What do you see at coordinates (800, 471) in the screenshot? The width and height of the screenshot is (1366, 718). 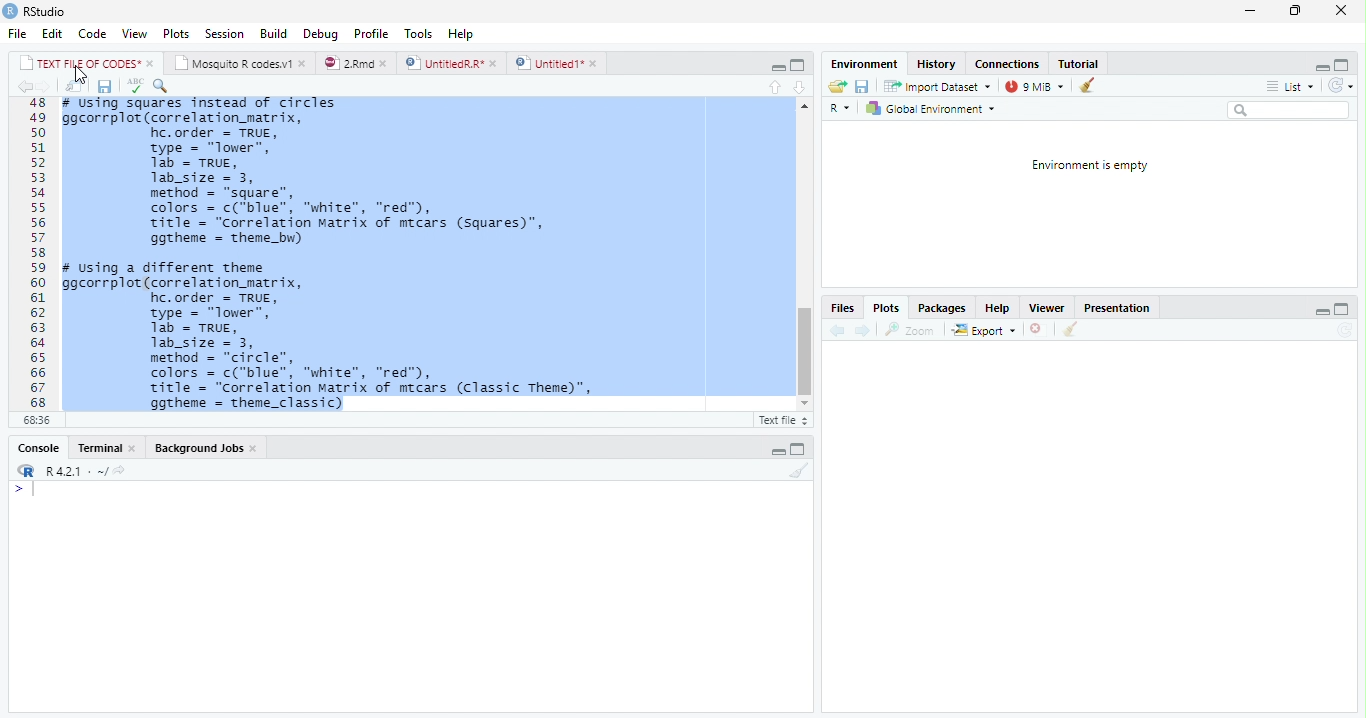 I see `clear console` at bounding box center [800, 471].